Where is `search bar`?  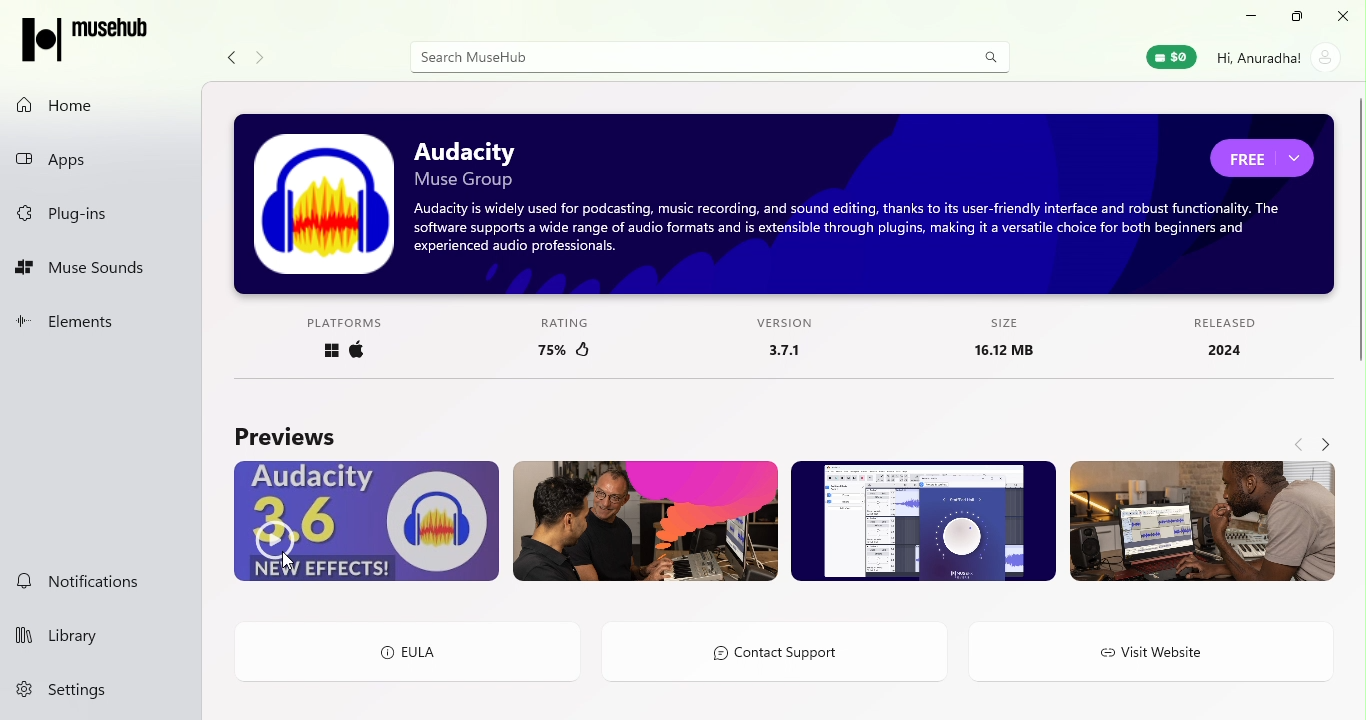
search bar is located at coordinates (991, 55).